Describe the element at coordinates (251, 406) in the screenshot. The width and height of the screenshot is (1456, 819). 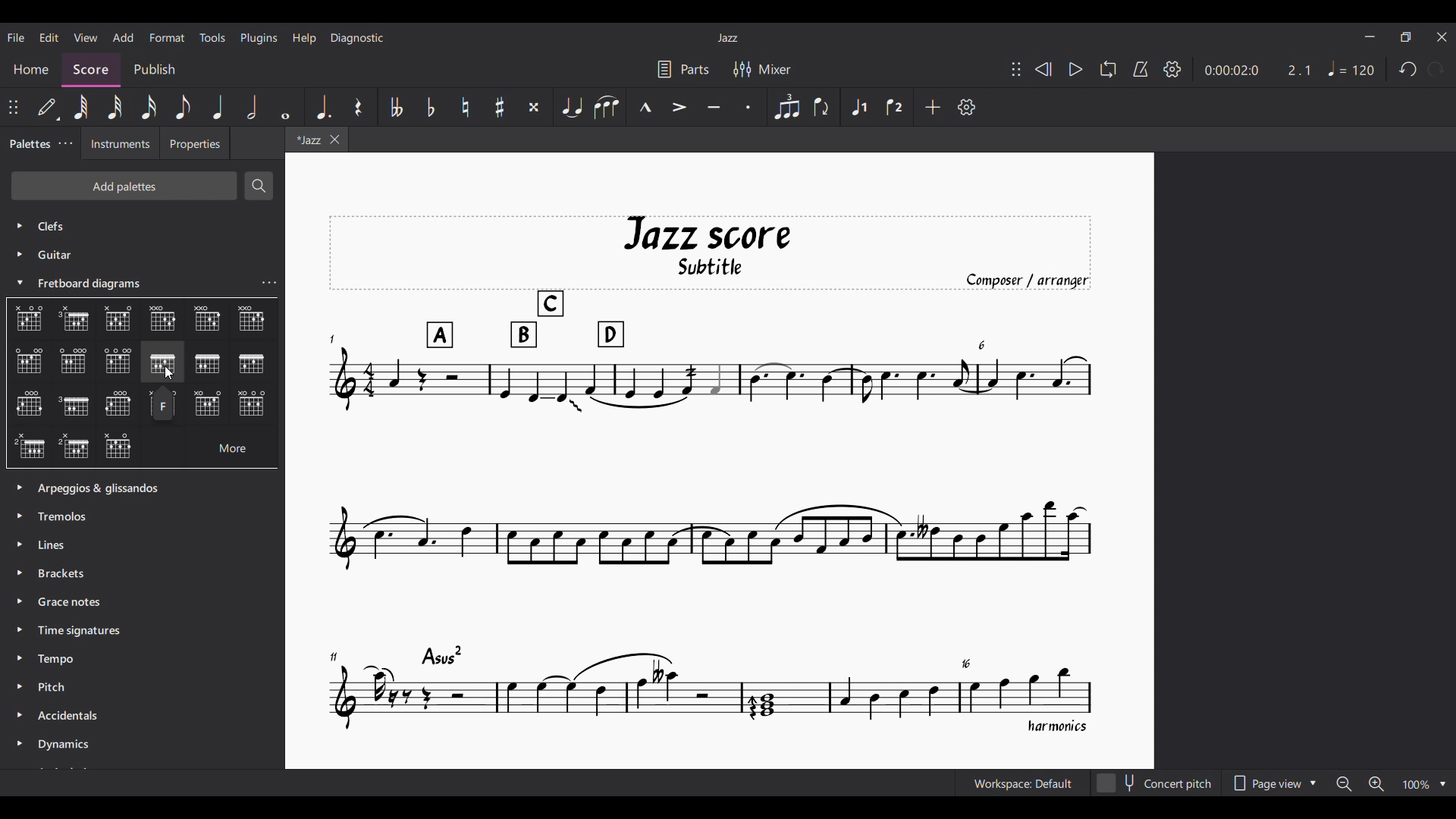
I see `Chart 16` at that location.